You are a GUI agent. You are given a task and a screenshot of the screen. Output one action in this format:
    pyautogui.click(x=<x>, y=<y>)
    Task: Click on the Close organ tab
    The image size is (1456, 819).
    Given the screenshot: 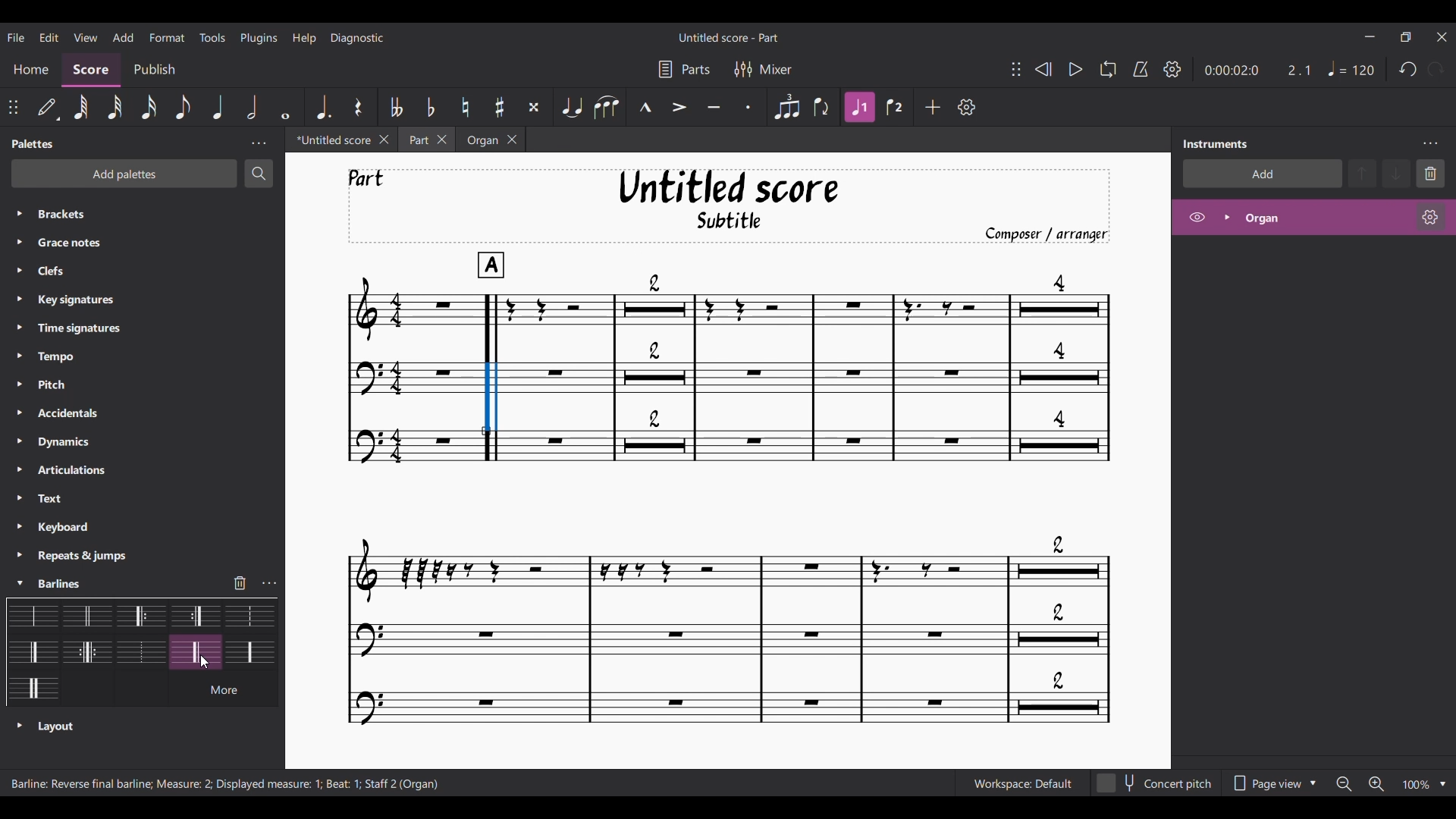 What is the action you would take?
    pyautogui.click(x=513, y=140)
    